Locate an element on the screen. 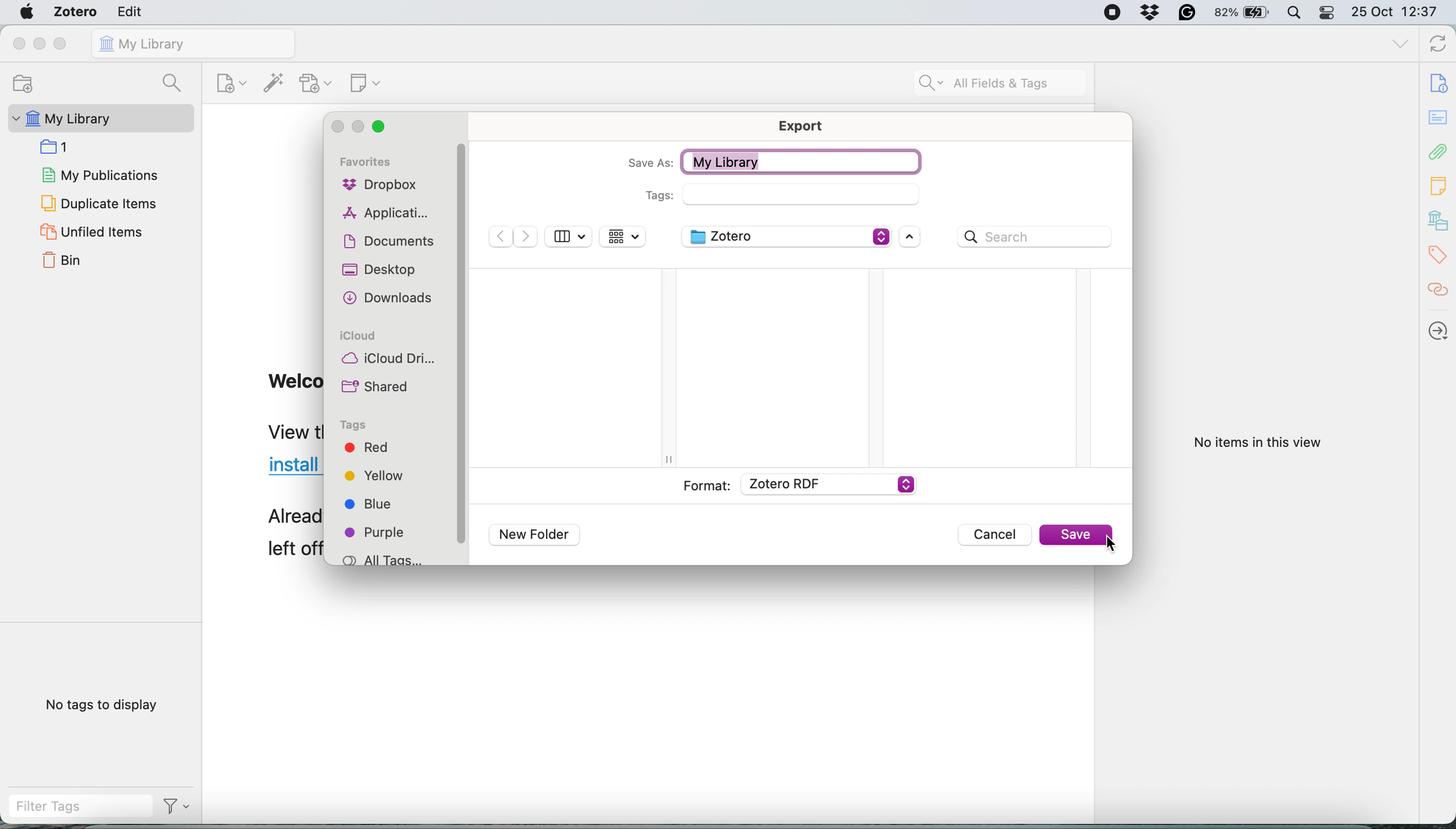 This screenshot has width=1456, height=829. No items in this view is located at coordinates (1260, 443).